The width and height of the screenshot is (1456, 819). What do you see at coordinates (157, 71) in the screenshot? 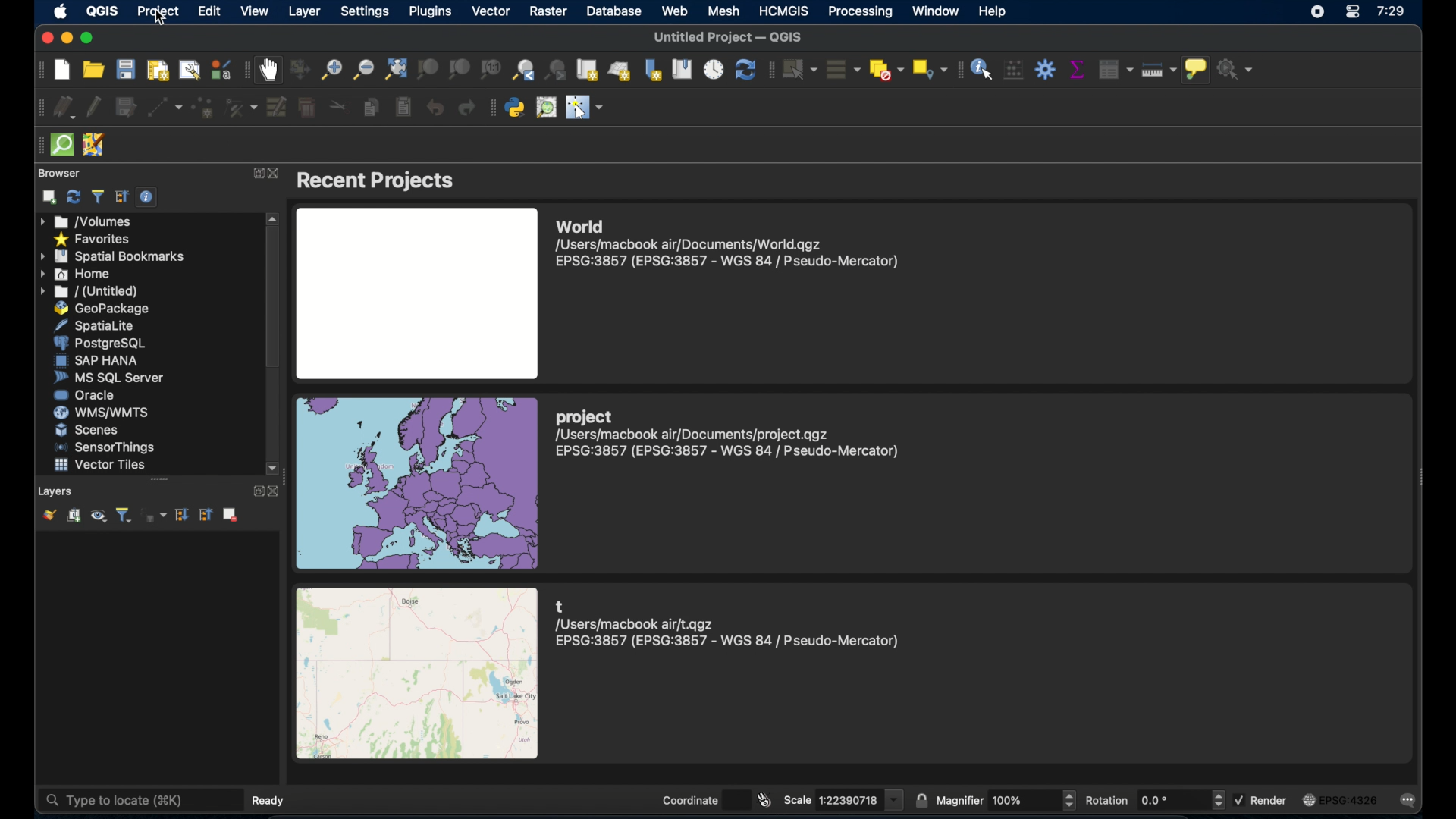
I see `new print layout` at bounding box center [157, 71].